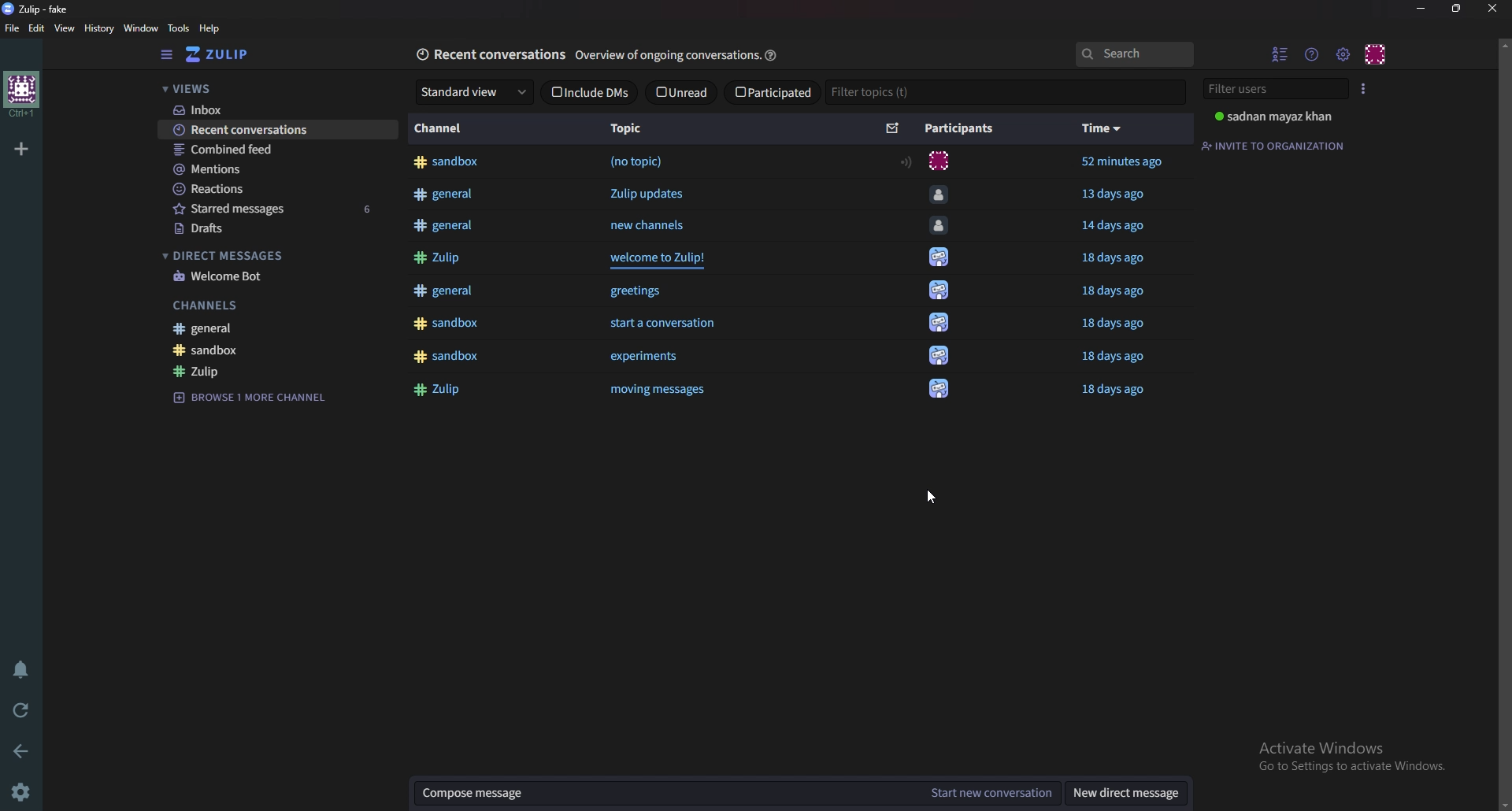 This screenshot has height=811, width=1512. Describe the element at coordinates (656, 194) in the screenshot. I see `Zulip updates` at that location.